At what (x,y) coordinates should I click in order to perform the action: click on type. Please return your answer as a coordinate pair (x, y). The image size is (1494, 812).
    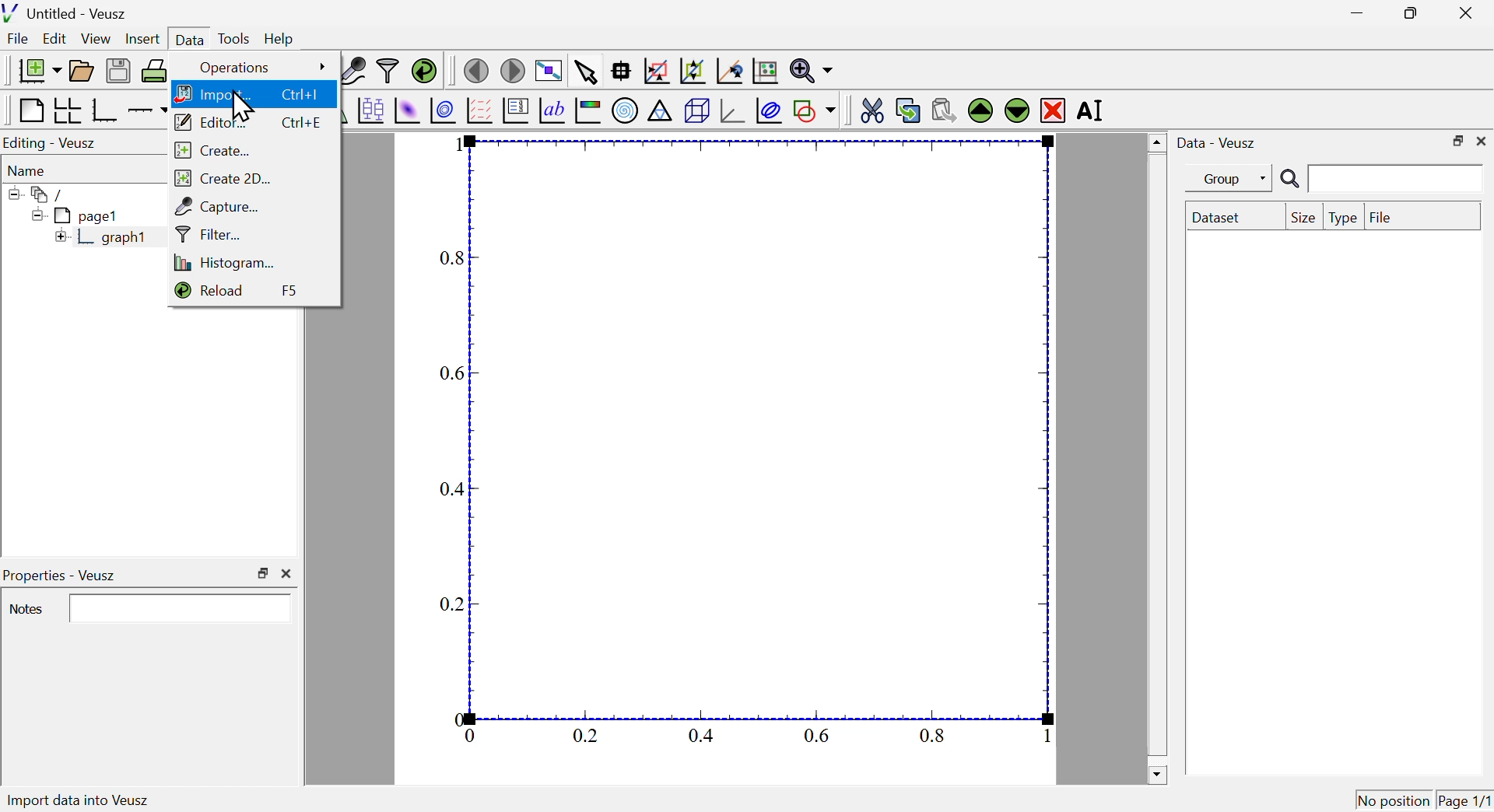
    Looking at the image, I should click on (1343, 218).